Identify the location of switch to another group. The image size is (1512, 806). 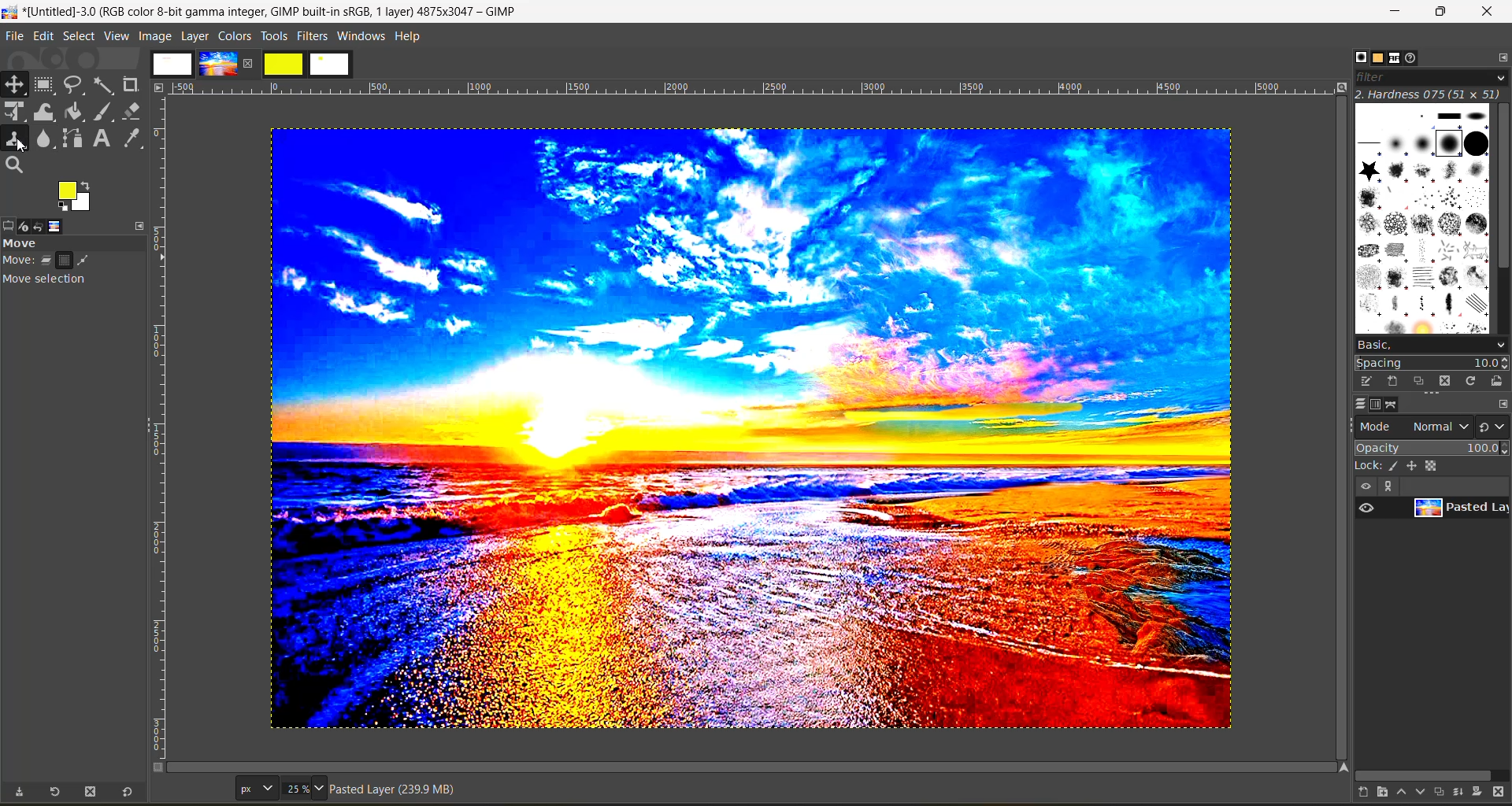
(1495, 426).